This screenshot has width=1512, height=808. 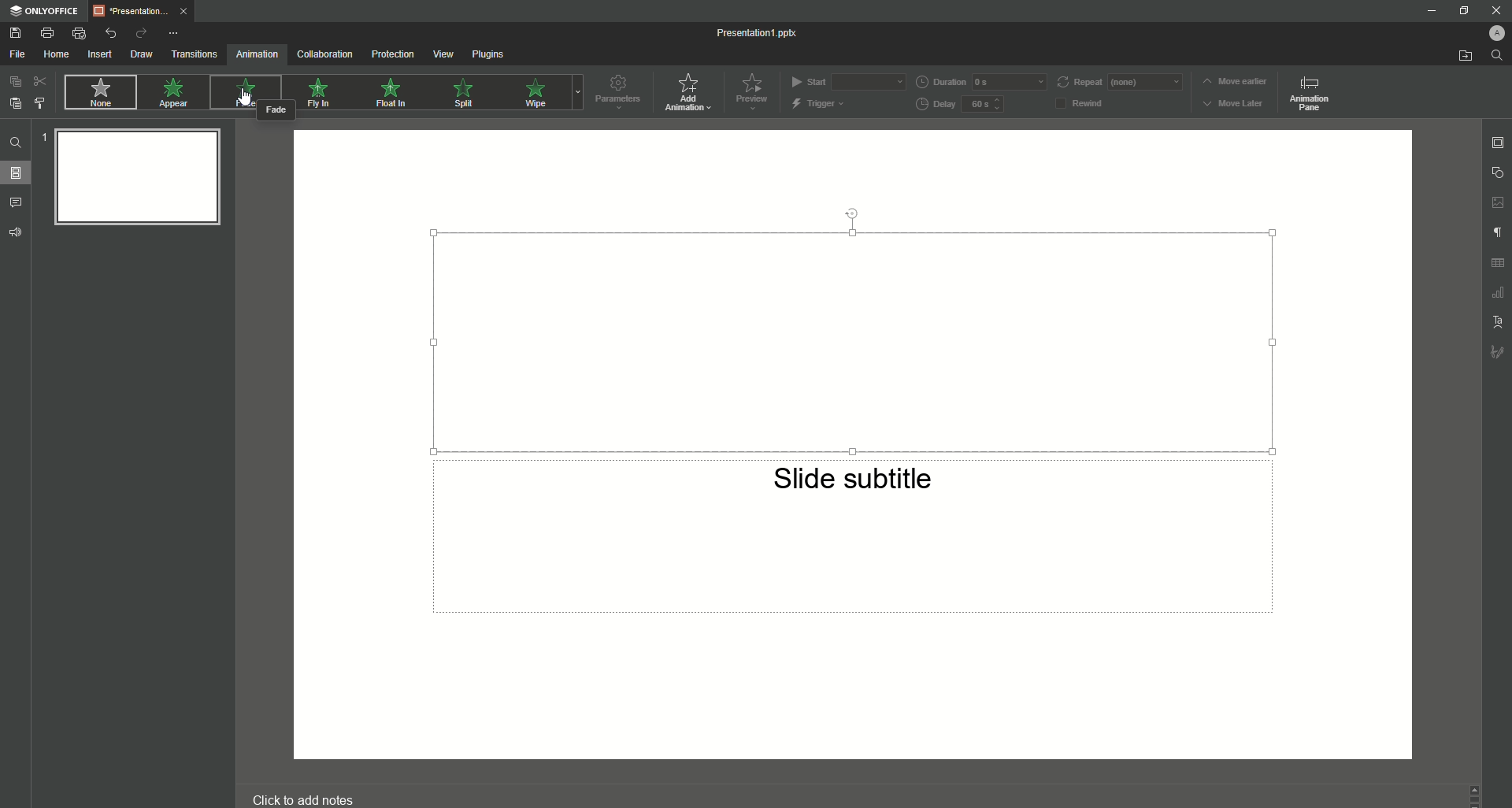 I want to click on Appear, so click(x=176, y=95).